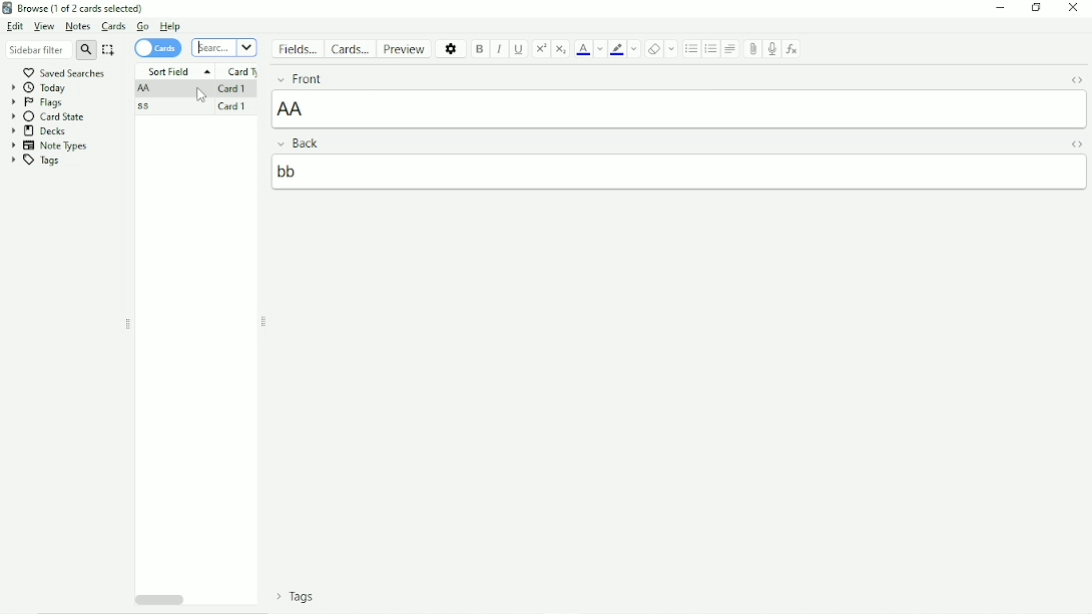 The height and width of the screenshot is (614, 1092). Describe the element at coordinates (109, 51) in the screenshot. I see `Select` at that location.